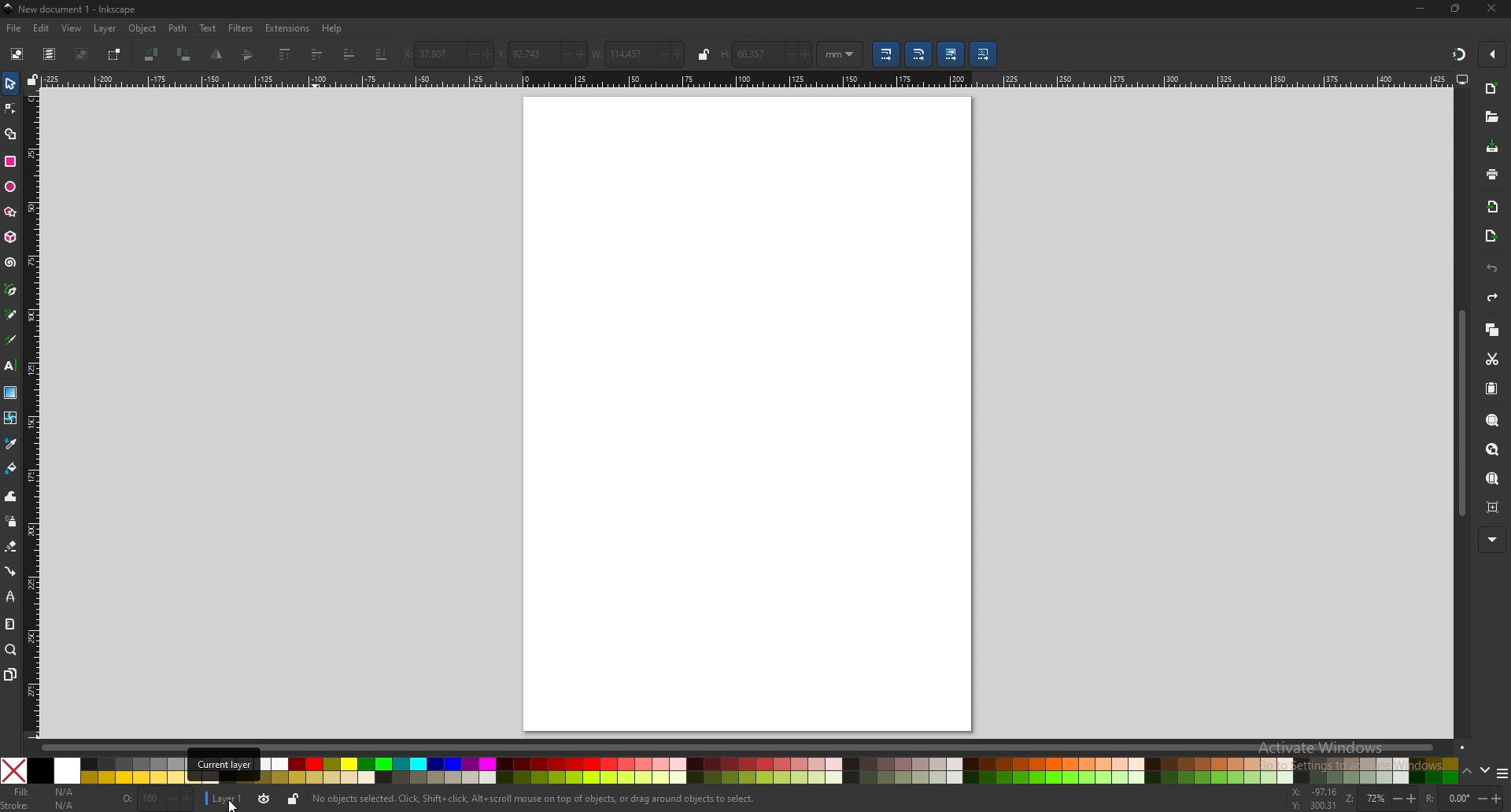 This screenshot has height=812, width=1511. What do you see at coordinates (1493, 448) in the screenshot?
I see `zoom drawing` at bounding box center [1493, 448].